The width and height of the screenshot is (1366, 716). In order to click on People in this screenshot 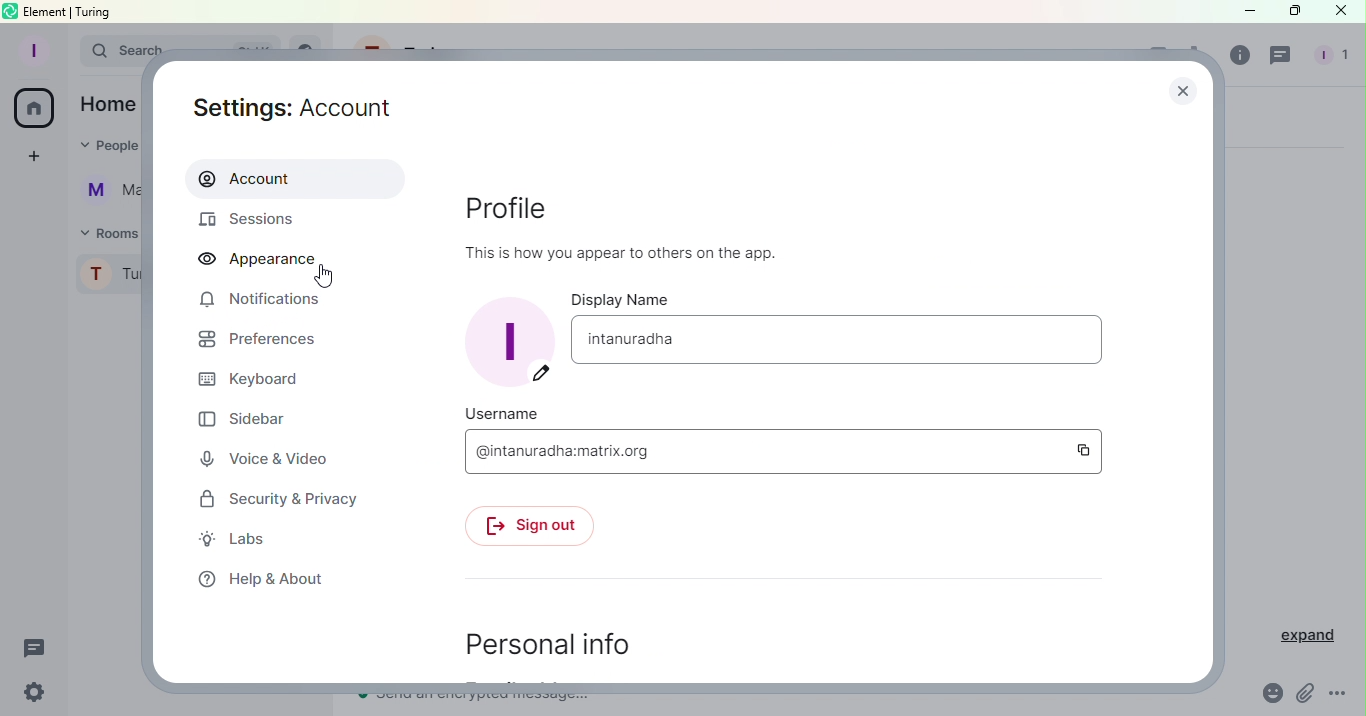, I will do `click(109, 148)`.